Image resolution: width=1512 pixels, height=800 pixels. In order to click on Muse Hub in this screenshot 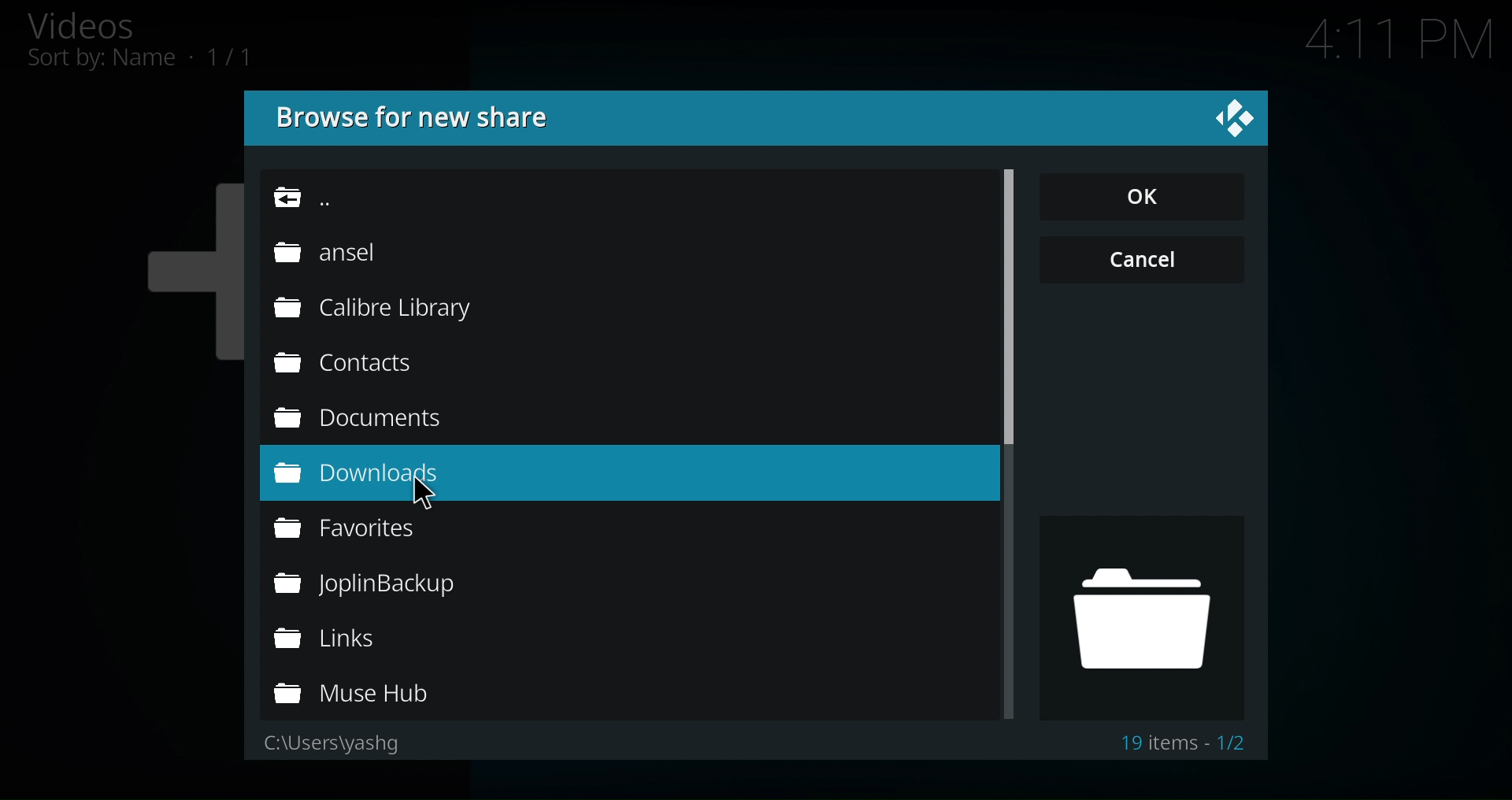, I will do `click(364, 694)`.